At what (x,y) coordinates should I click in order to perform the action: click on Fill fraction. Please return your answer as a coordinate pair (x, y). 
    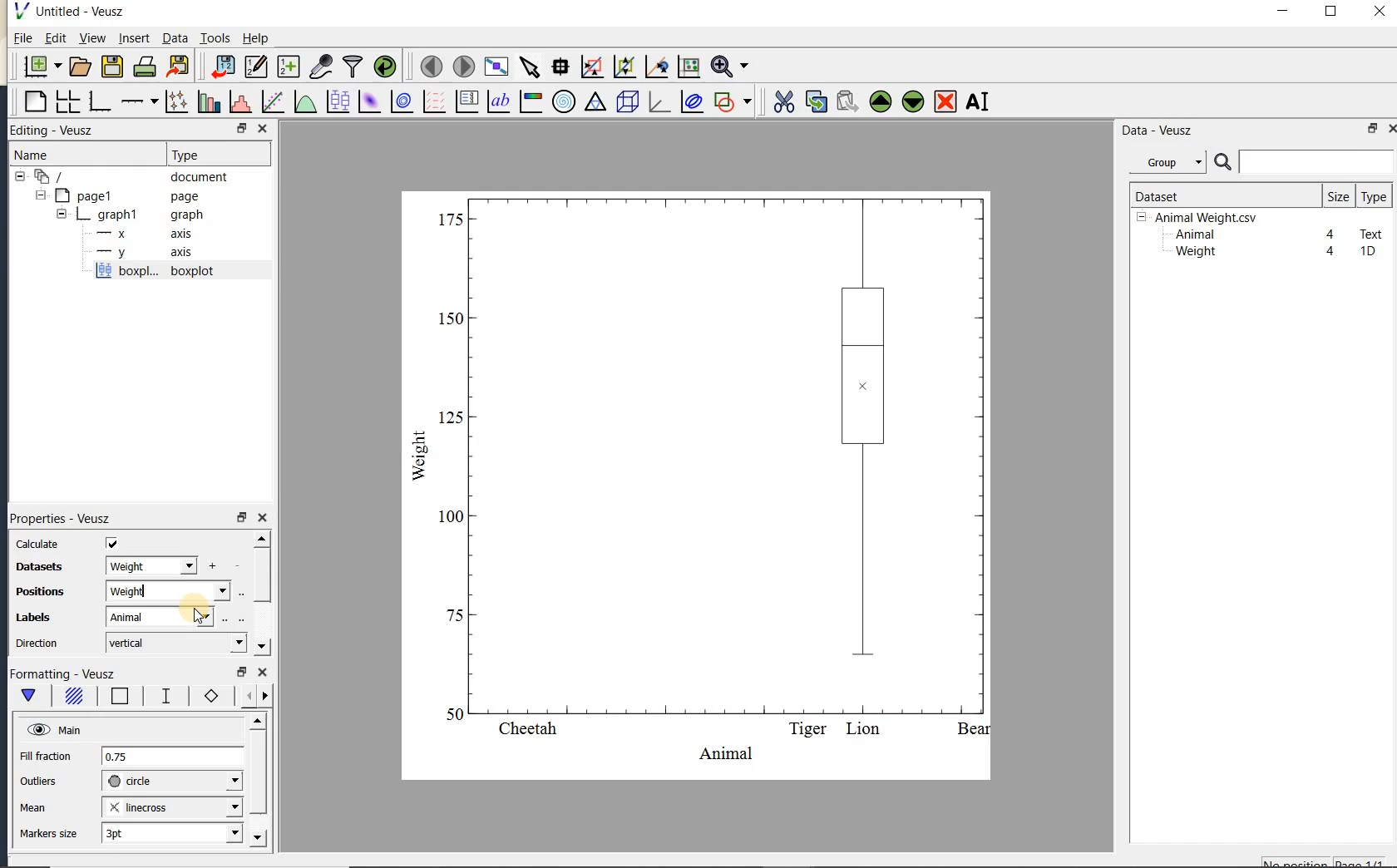
    Looking at the image, I should click on (46, 757).